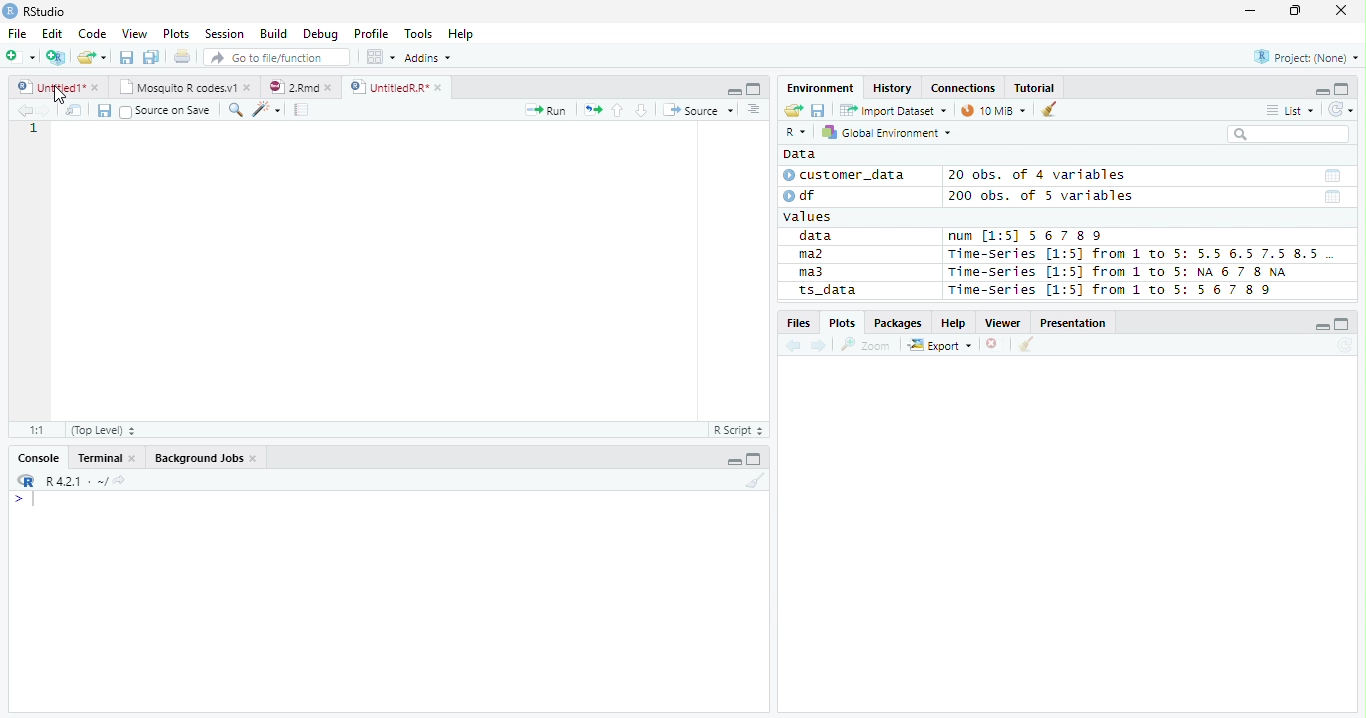 The height and width of the screenshot is (718, 1366). Describe the element at coordinates (963, 88) in the screenshot. I see `Connections` at that location.